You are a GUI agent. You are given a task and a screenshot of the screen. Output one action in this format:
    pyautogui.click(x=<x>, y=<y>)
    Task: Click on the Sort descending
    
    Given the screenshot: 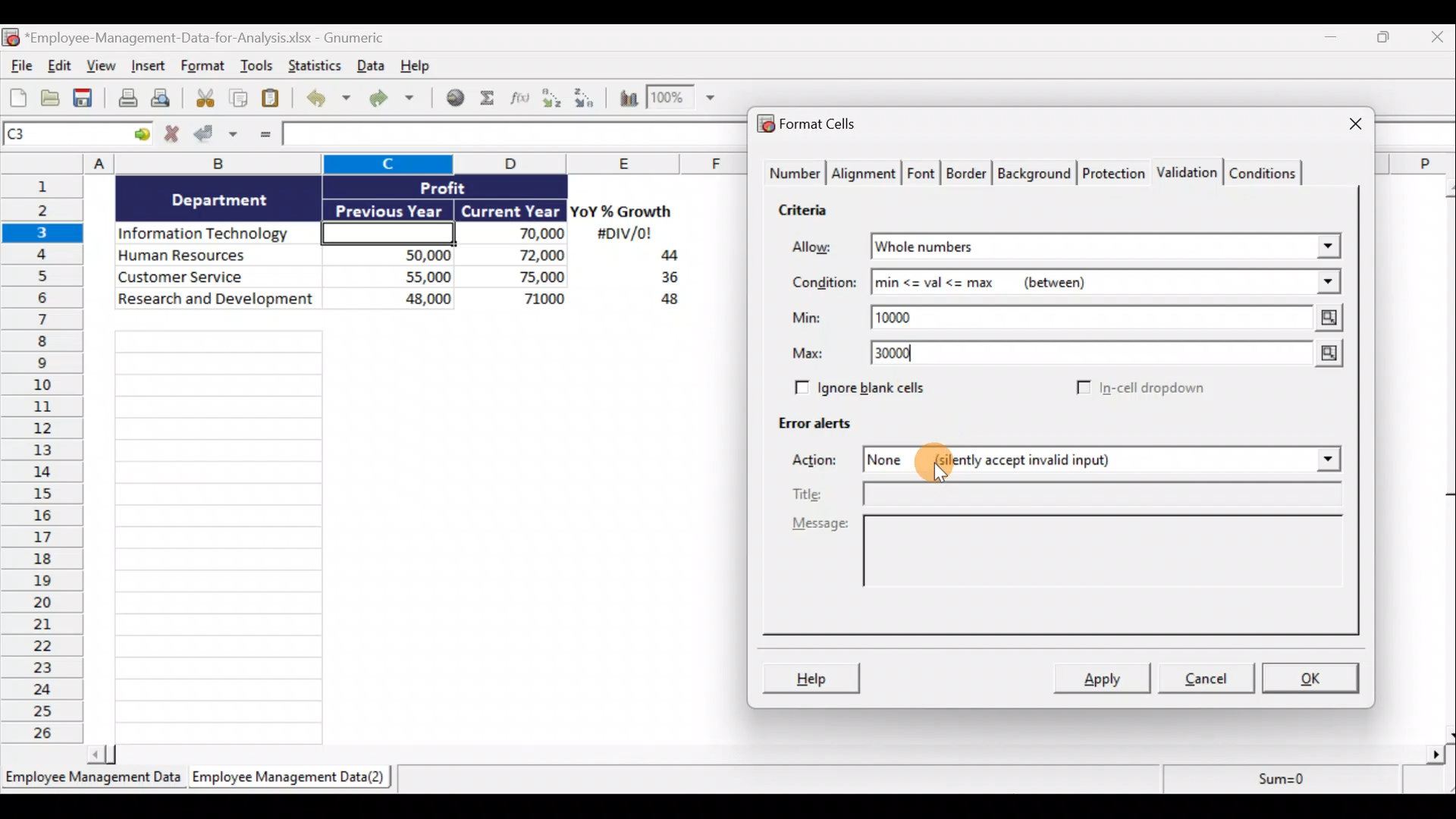 What is the action you would take?
    pyautogui.click(x=582, y=96)
    